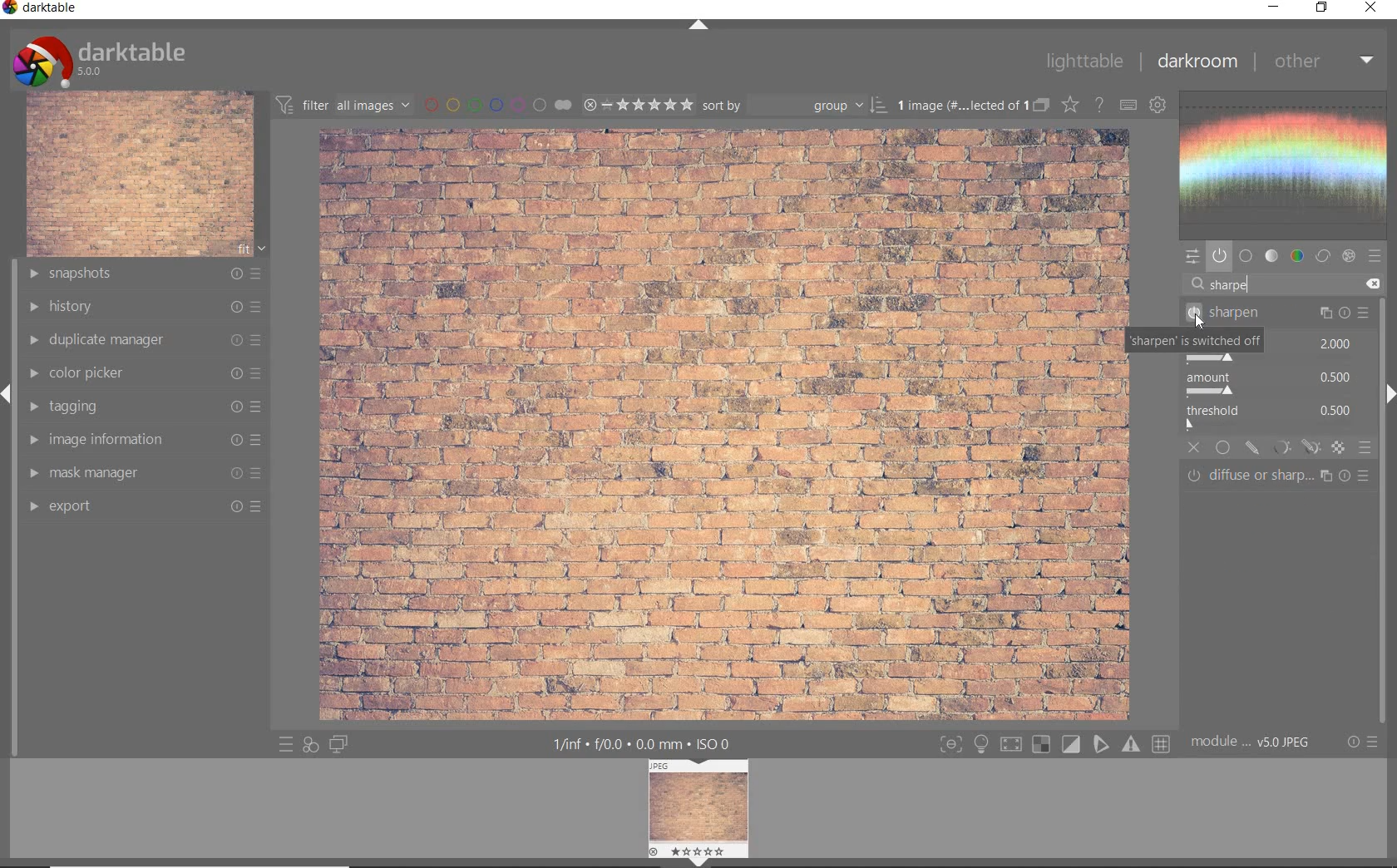 This screenshot has height=868, width=1397. I want to click on collapse grouped image, so click(1040, 106).